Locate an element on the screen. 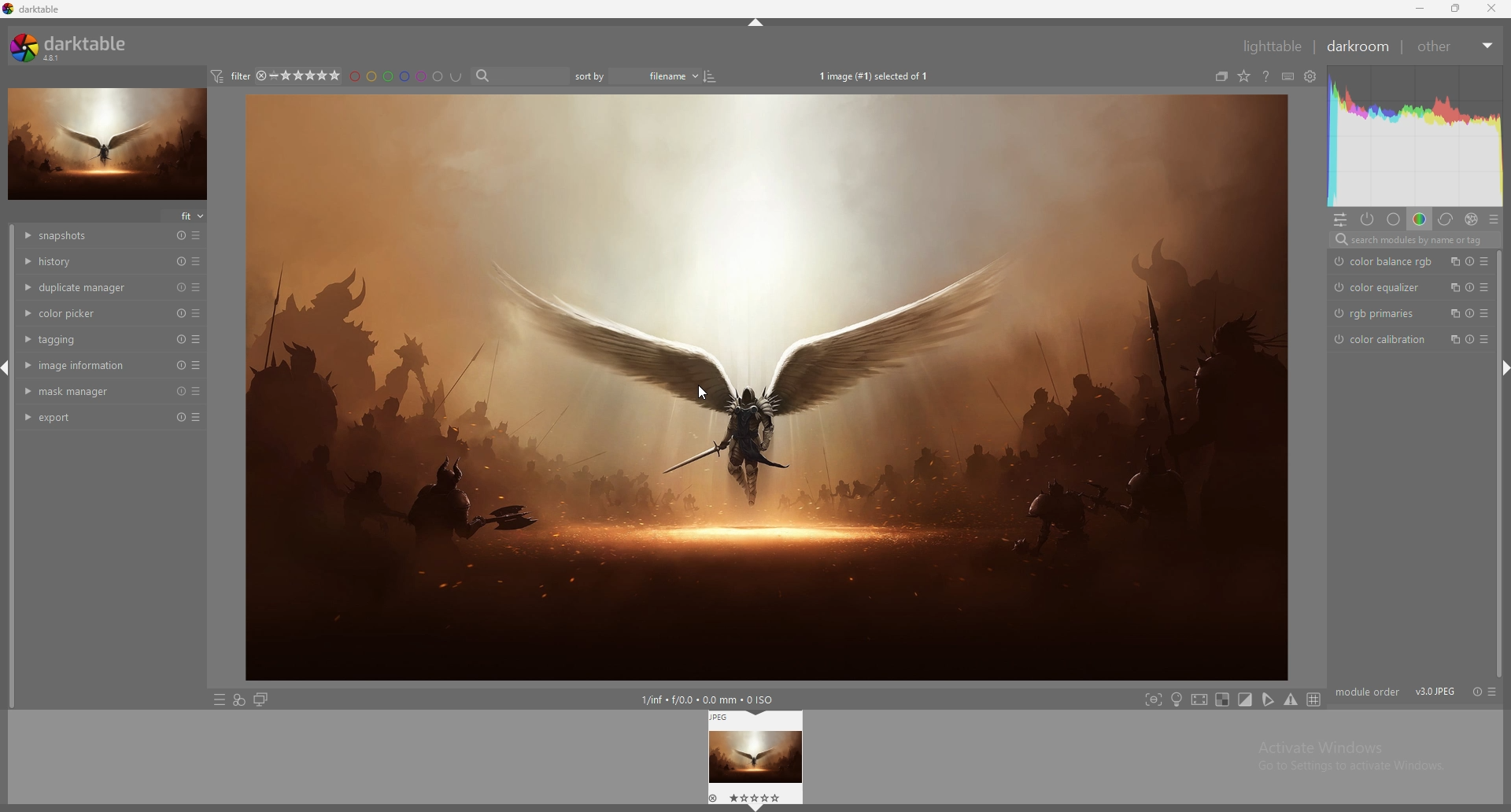 The width and height of the screenshot is (1511, 812). effect is located at coordinates (1471, 220).